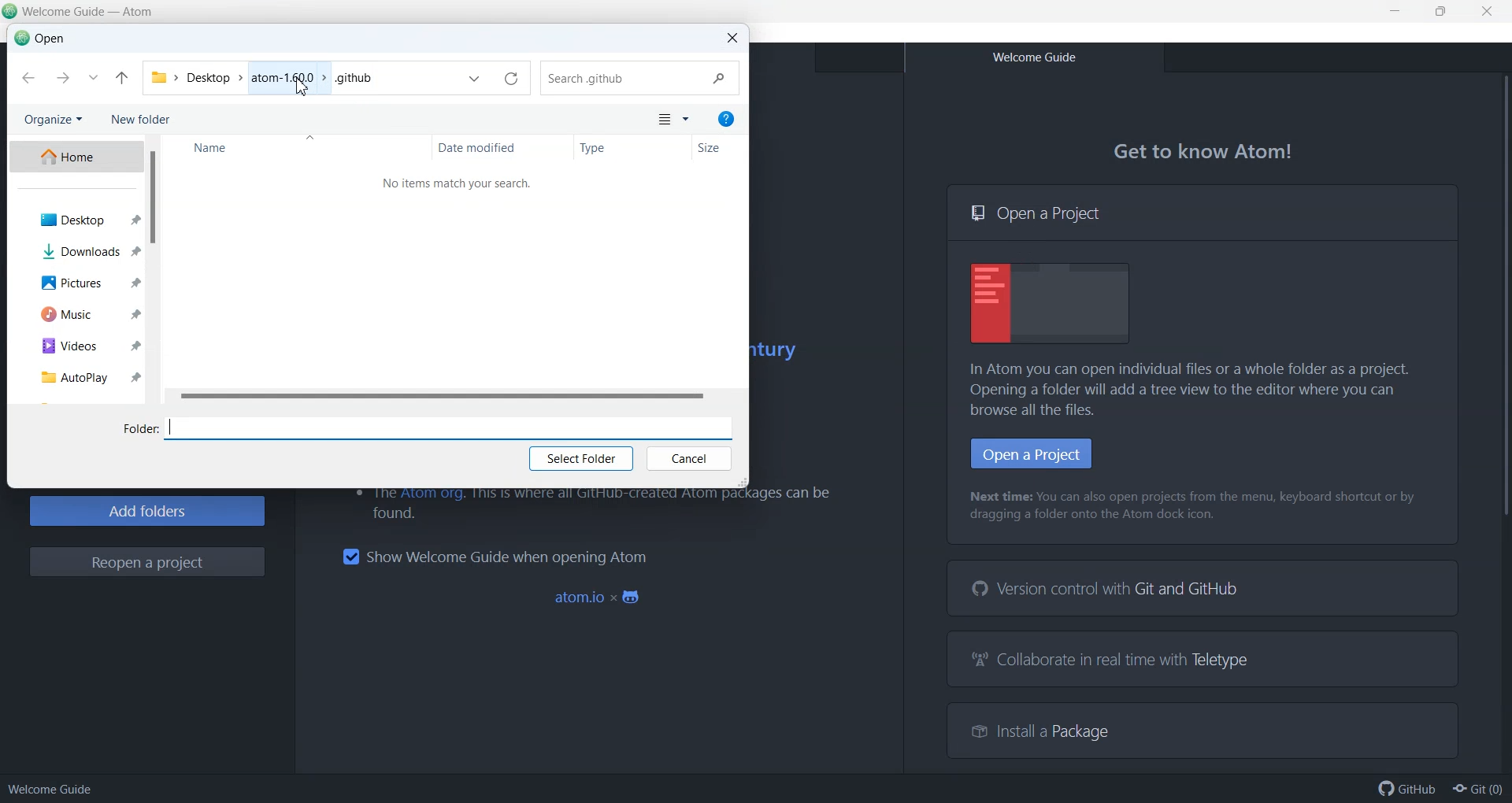 The height and width of the screenshot is (803, 1512). Describe the element at coordinates (641, 79) in the screenshot. I see `Search .github` at that location.